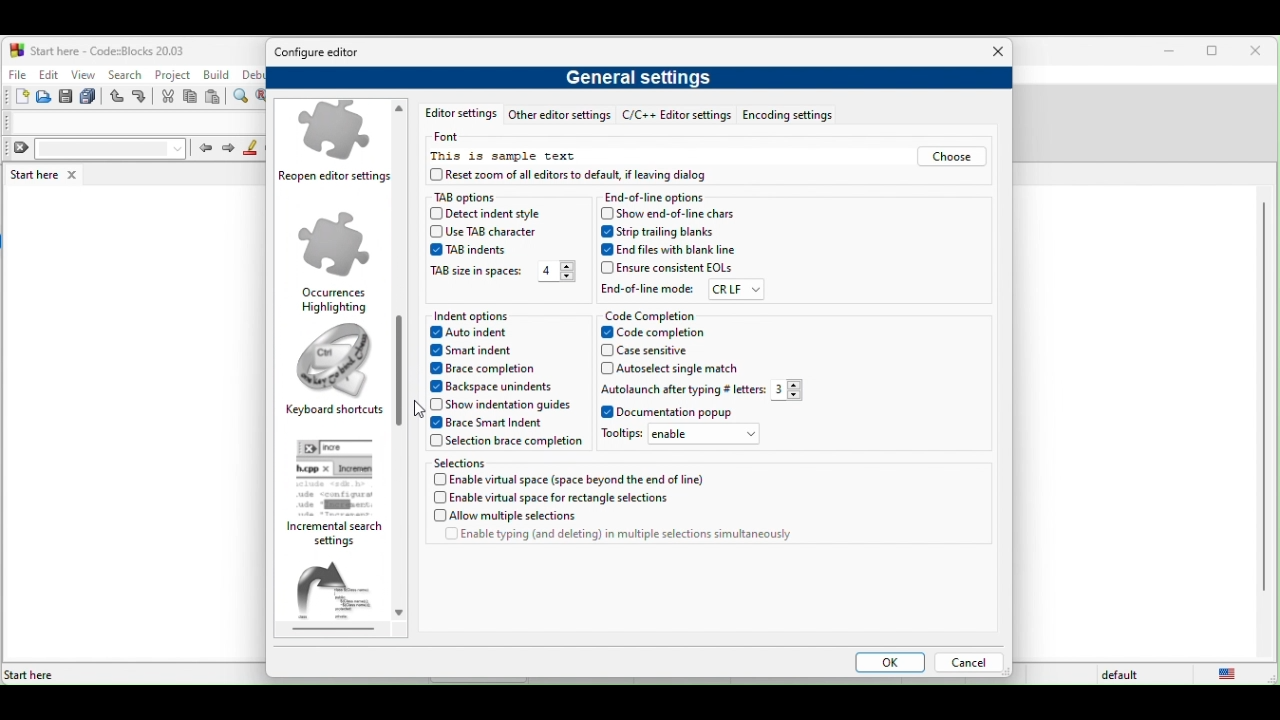 The height and width of the screenshot is (720, 1280). I want to click on show end of line chars, so click(672, 213).